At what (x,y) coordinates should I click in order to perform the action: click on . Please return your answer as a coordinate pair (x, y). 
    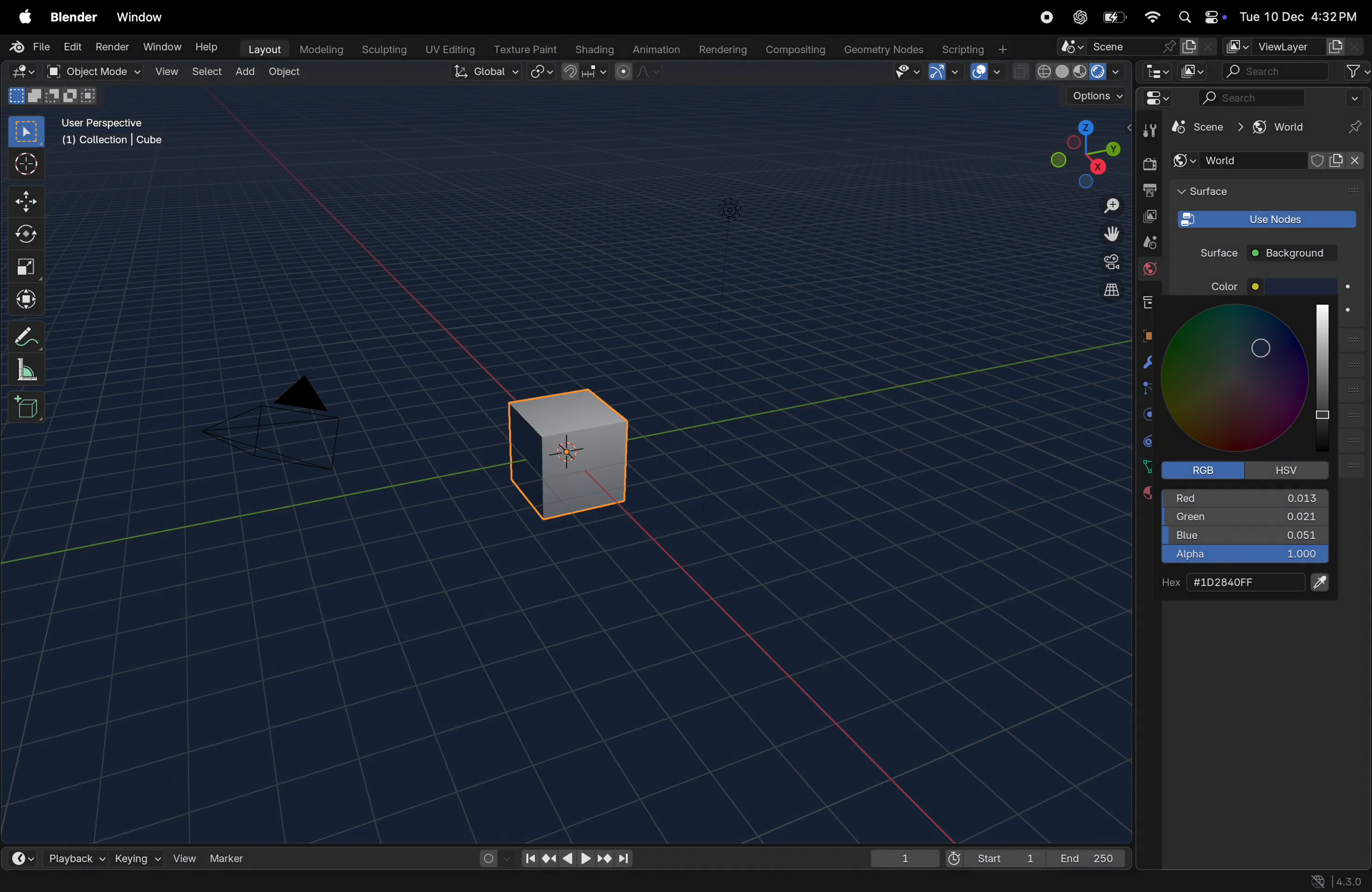
    Looking at the image, I should click on (726, 211).